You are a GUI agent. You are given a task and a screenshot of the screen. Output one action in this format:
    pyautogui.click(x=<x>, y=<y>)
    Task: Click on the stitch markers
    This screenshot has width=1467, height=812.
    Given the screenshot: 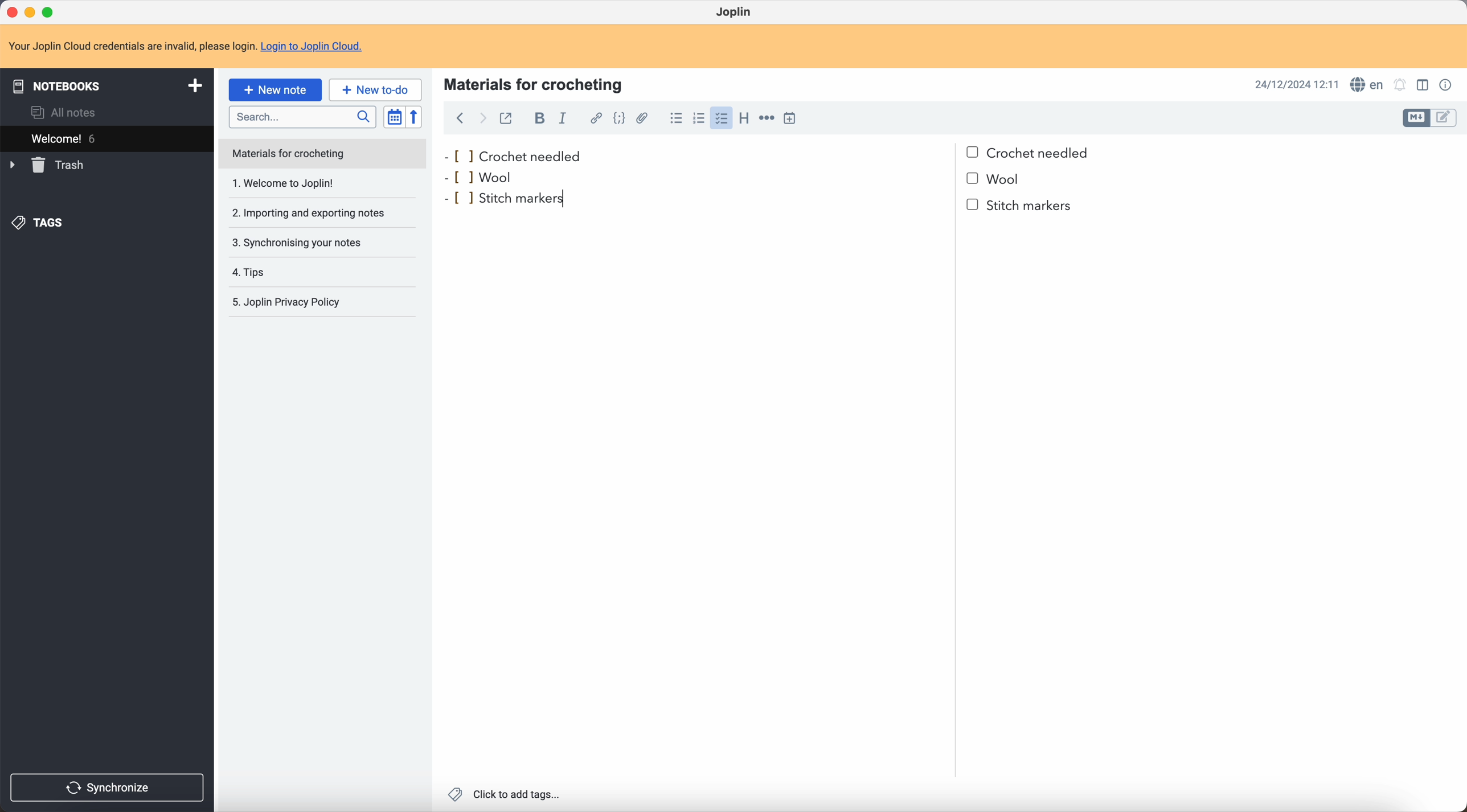 What is the action you would take?
    pyautogui.click(x=524, y=199)
    